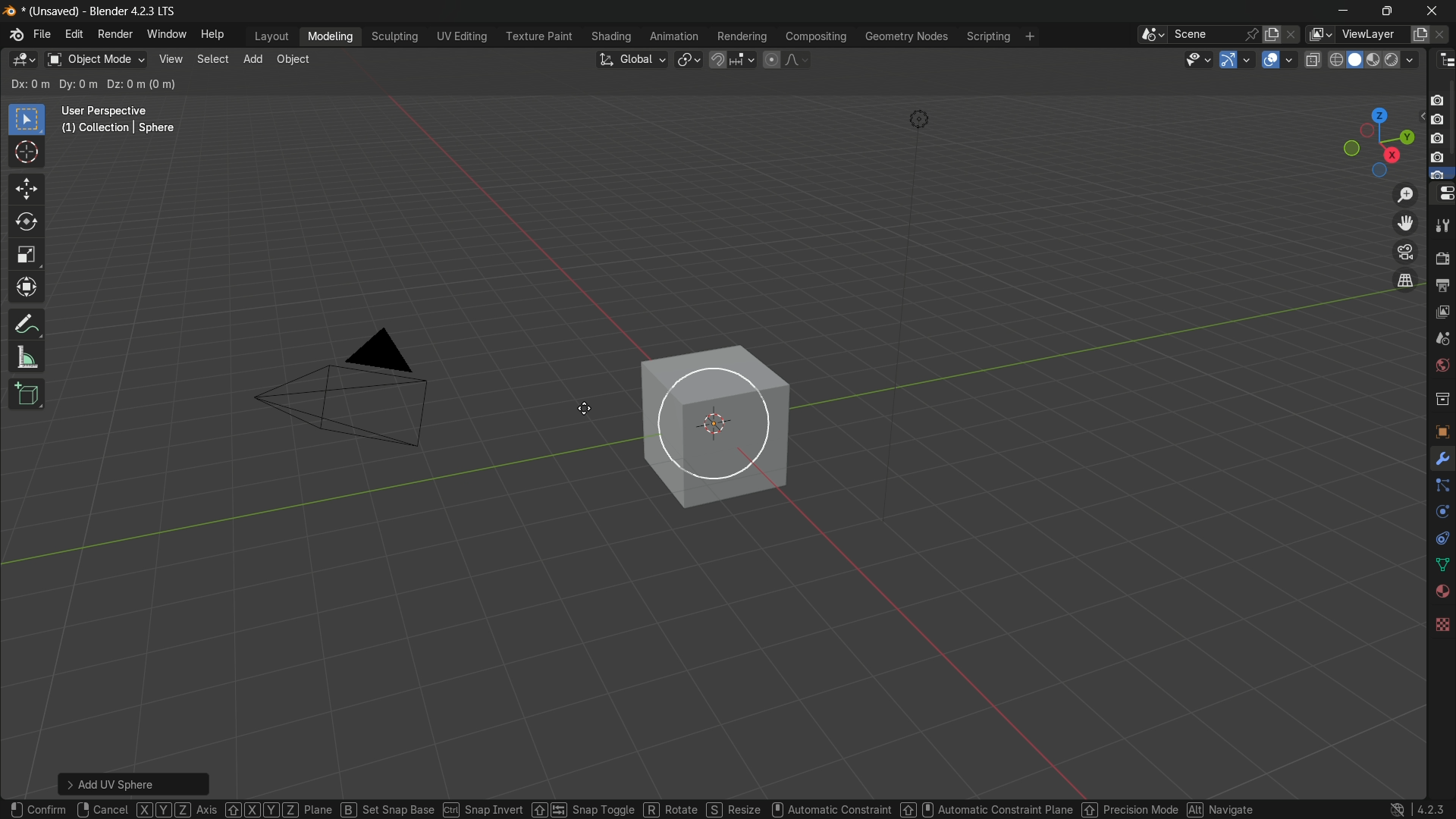 Image resolution: width=1456 pixels, height=819 pixels. Describe the element at coordinates (27, 322) in the screenshot. I see `annotate` at that location.